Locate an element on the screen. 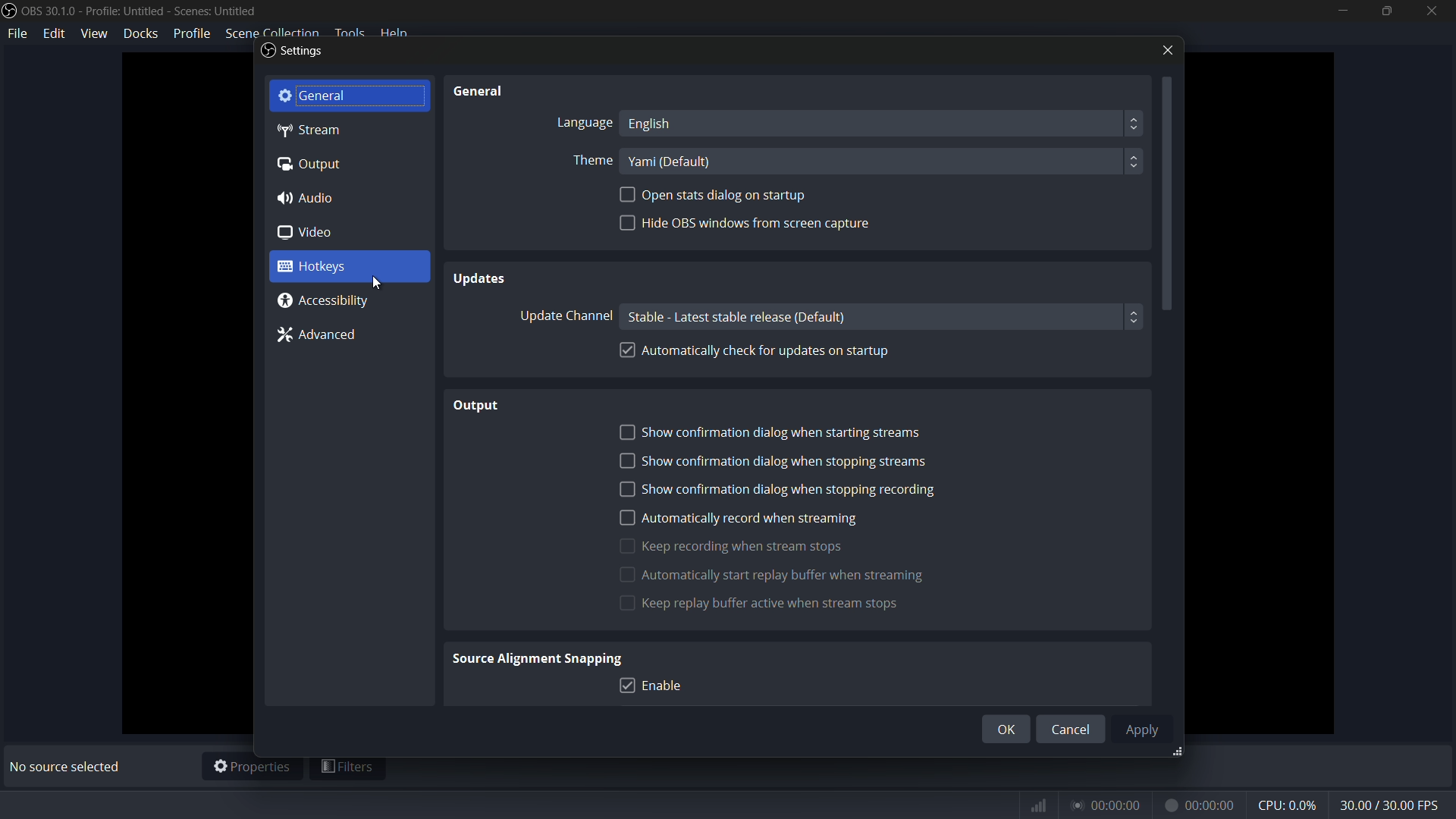 This screenshot has width=1456, height=819. hide obs window from screen capture is located at coordinates (745, 224).